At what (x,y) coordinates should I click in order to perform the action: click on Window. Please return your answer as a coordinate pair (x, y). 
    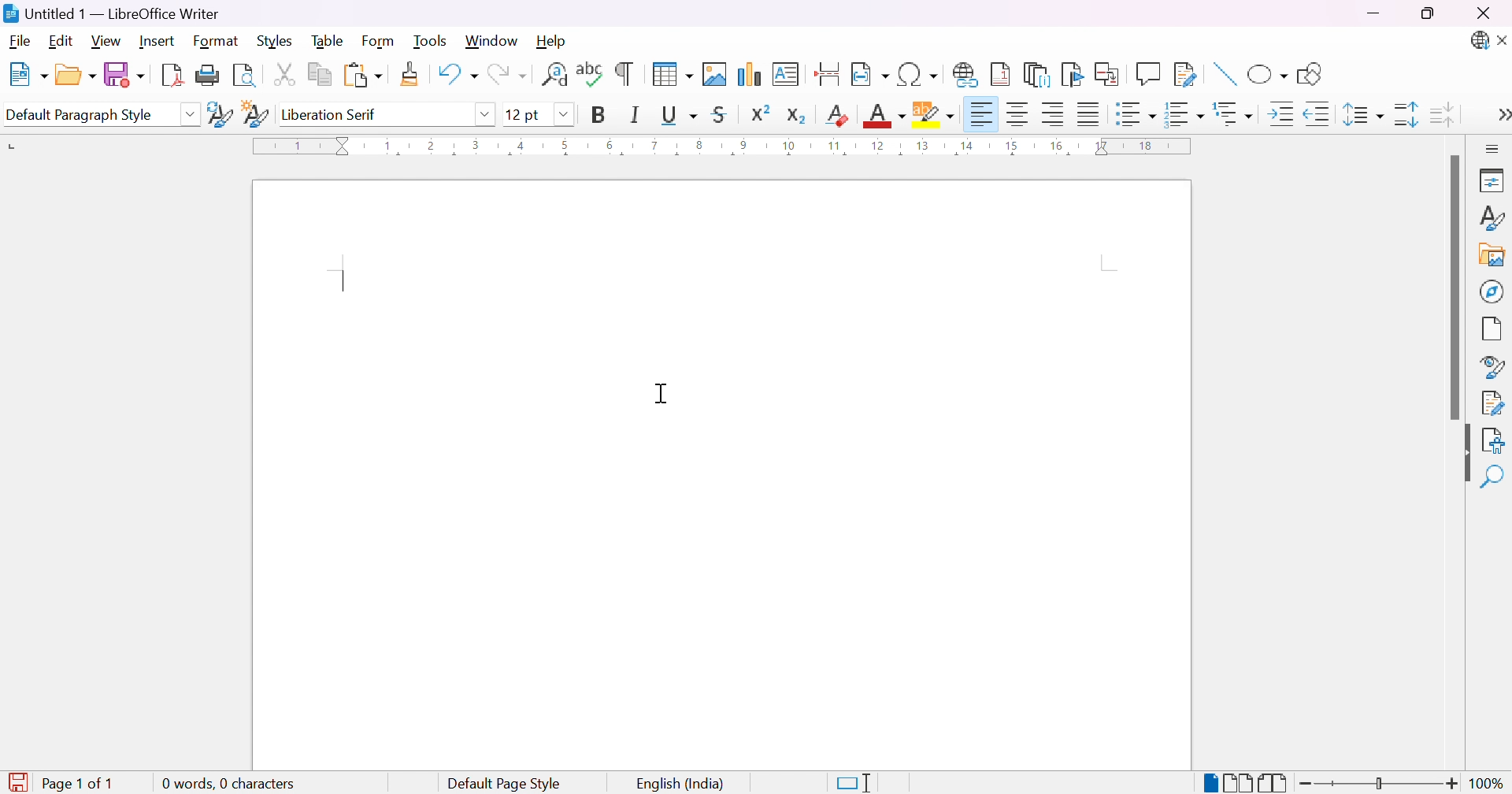
    Looking at the image, I should click on (492, 42).